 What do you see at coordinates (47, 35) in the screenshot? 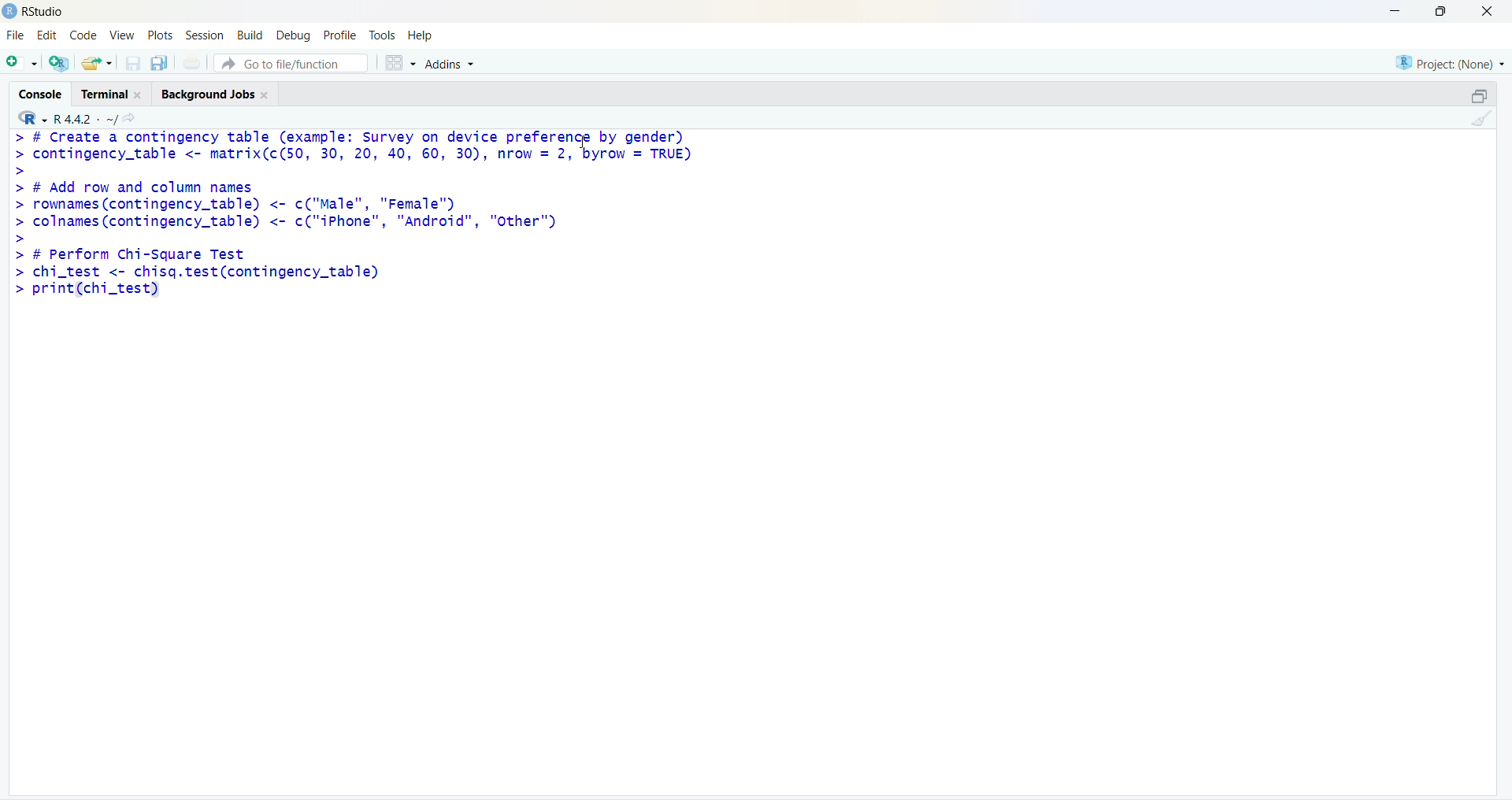
I see `Edit` at bounding box center [47, 35].